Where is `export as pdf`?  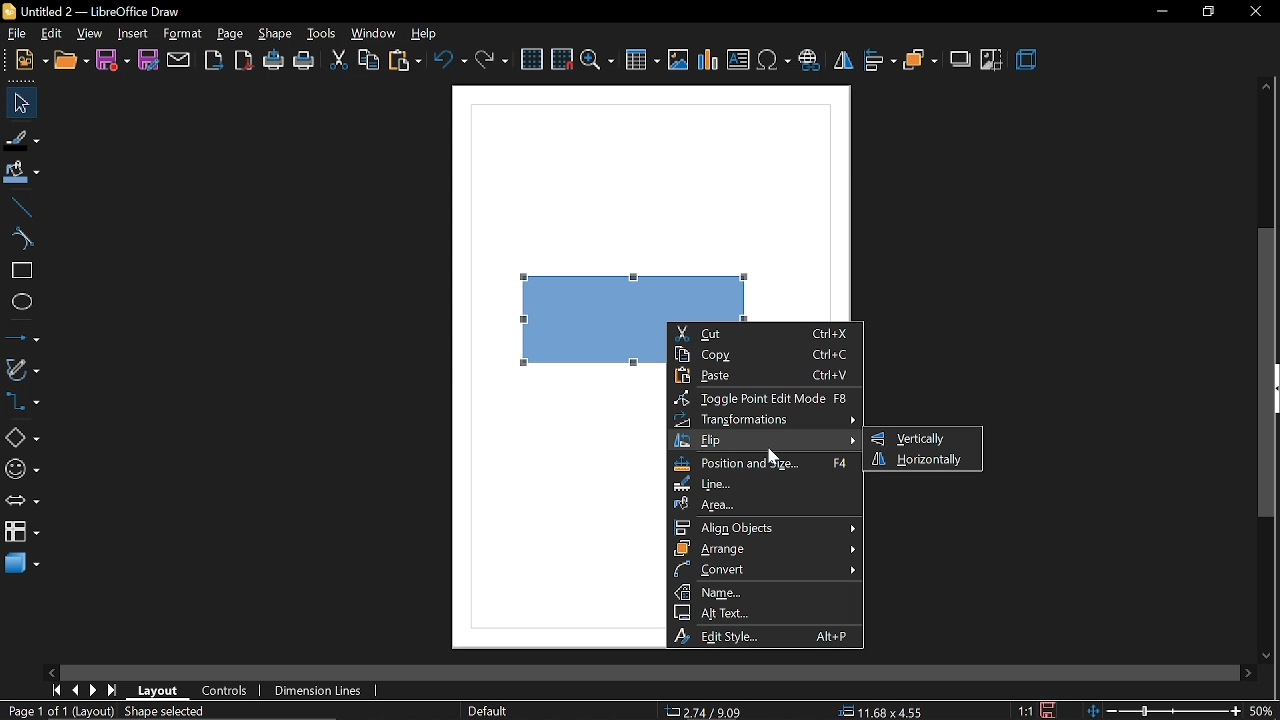
export as pdf is located at coordinates (245, 60).